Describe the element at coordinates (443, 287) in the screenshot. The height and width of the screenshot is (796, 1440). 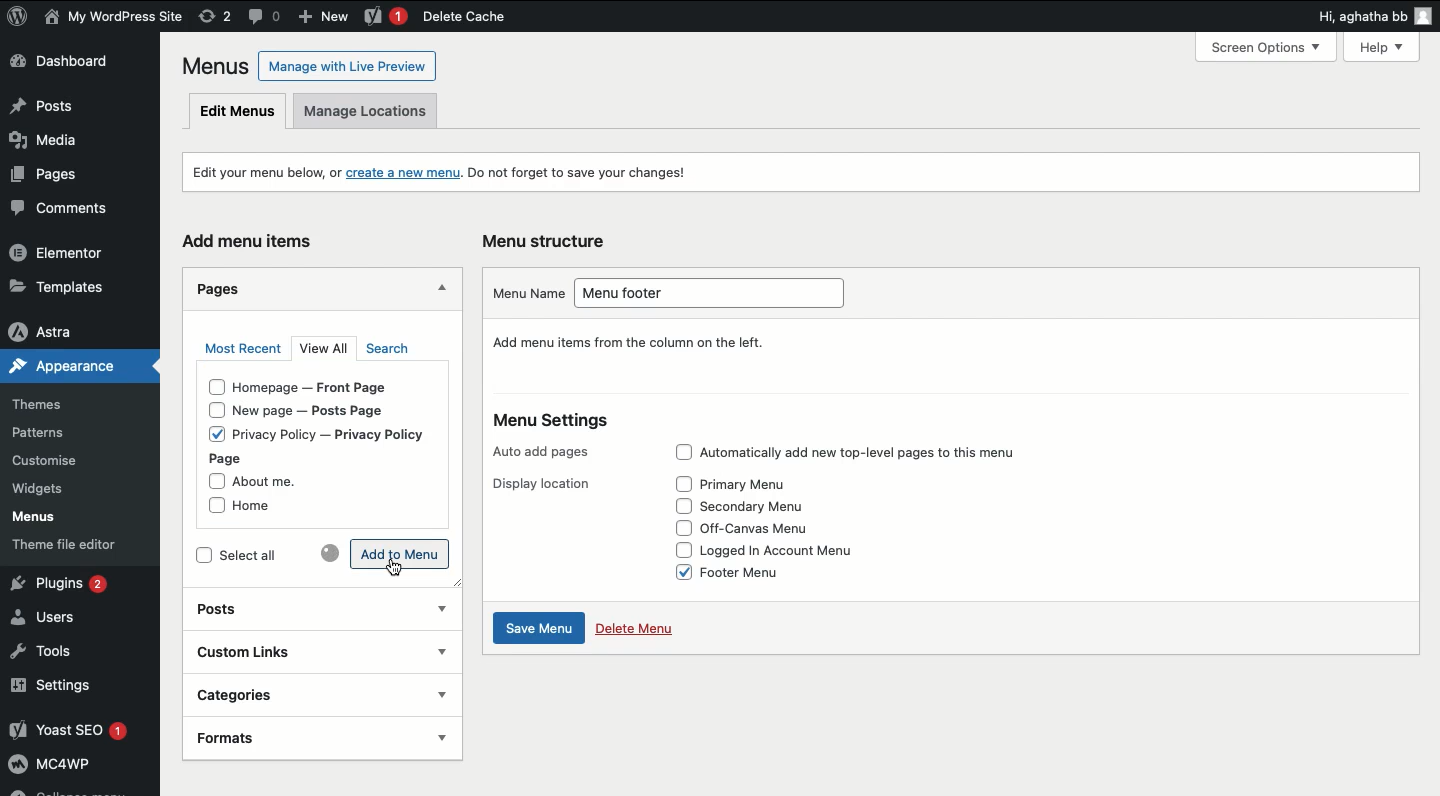
I see `Hide` at that location.